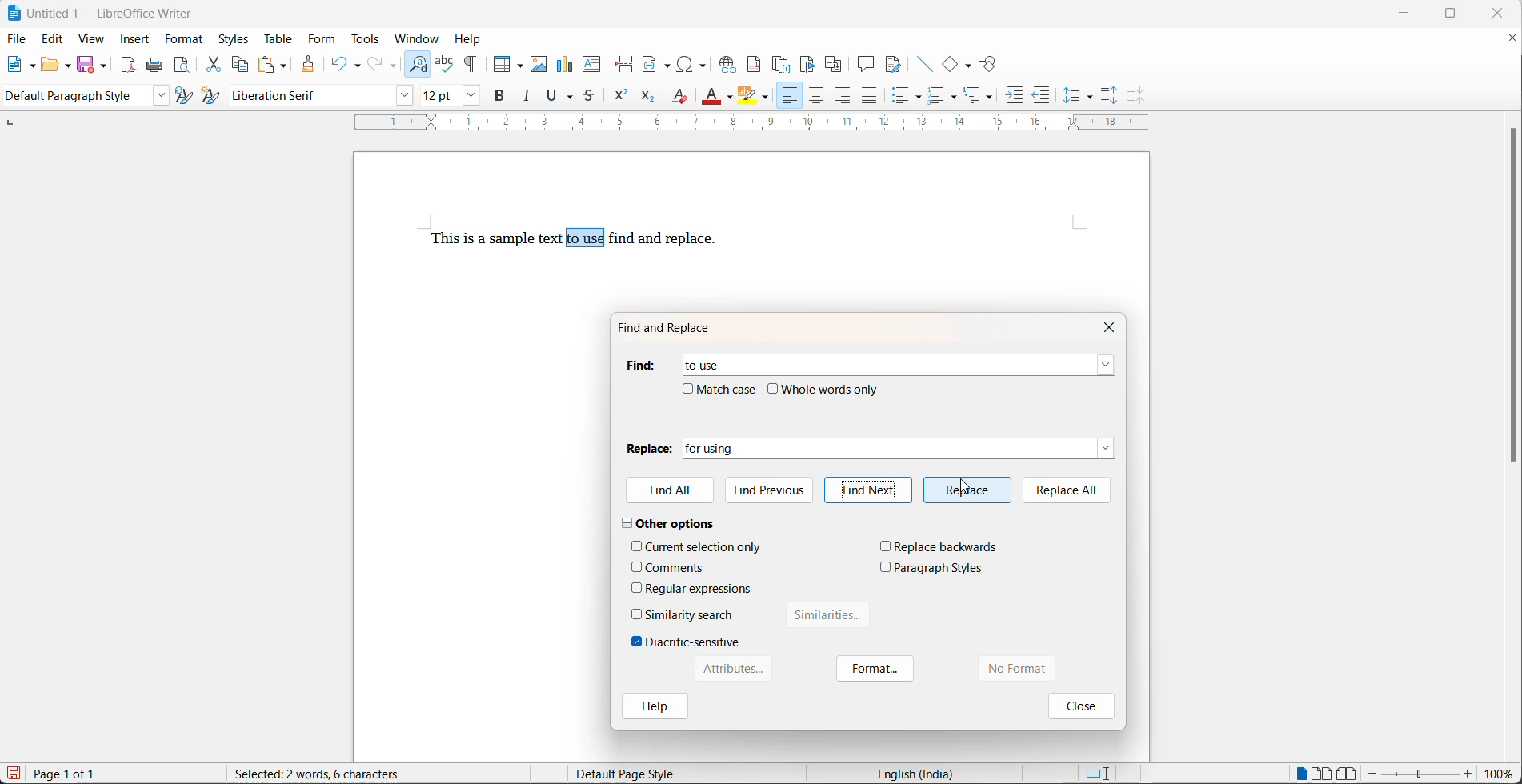  Describe the element at coordinates (620, 99) in the screenshot. I see `superscript` at that location.